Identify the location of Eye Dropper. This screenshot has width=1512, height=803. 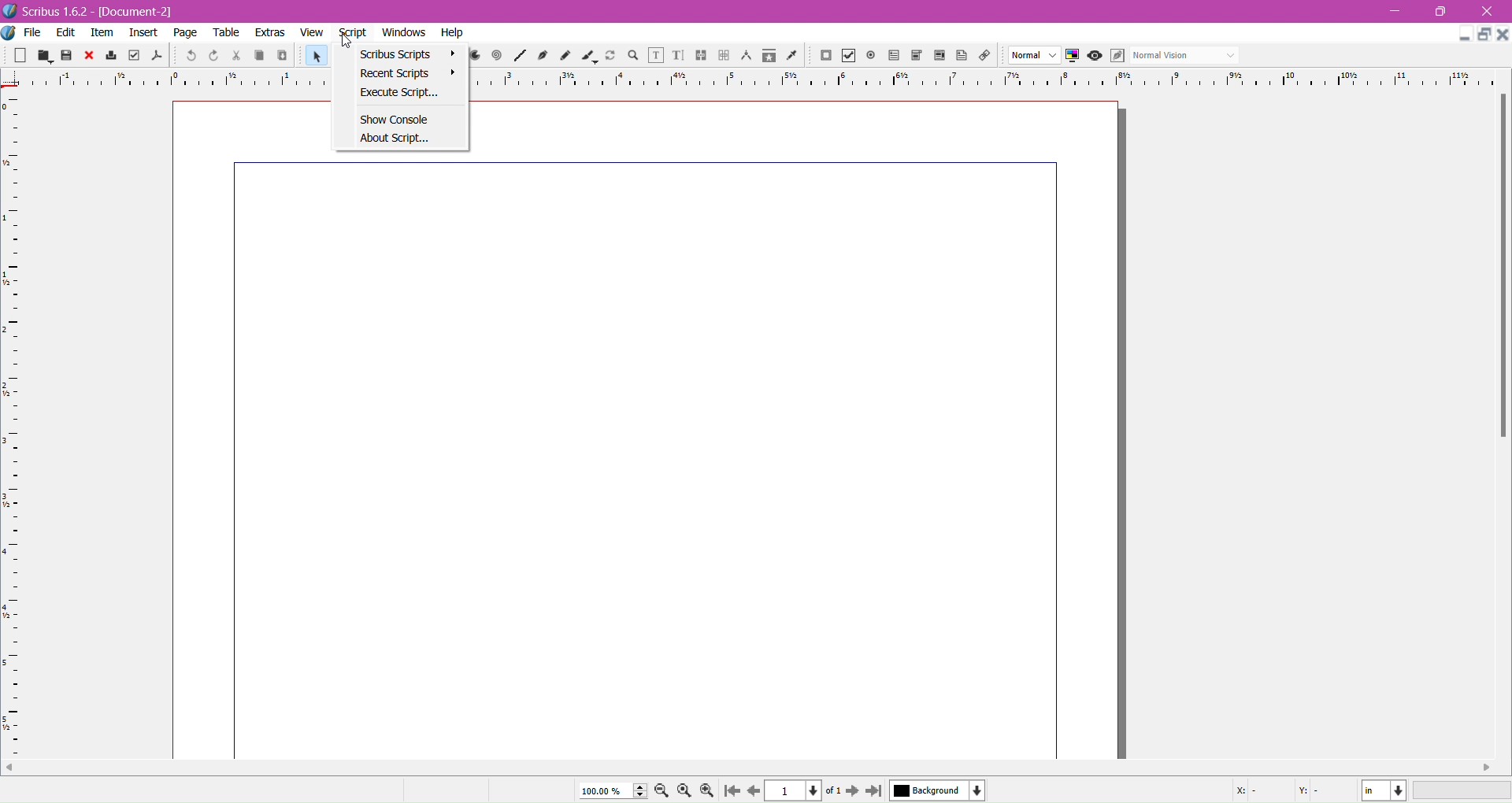
(794, 55).